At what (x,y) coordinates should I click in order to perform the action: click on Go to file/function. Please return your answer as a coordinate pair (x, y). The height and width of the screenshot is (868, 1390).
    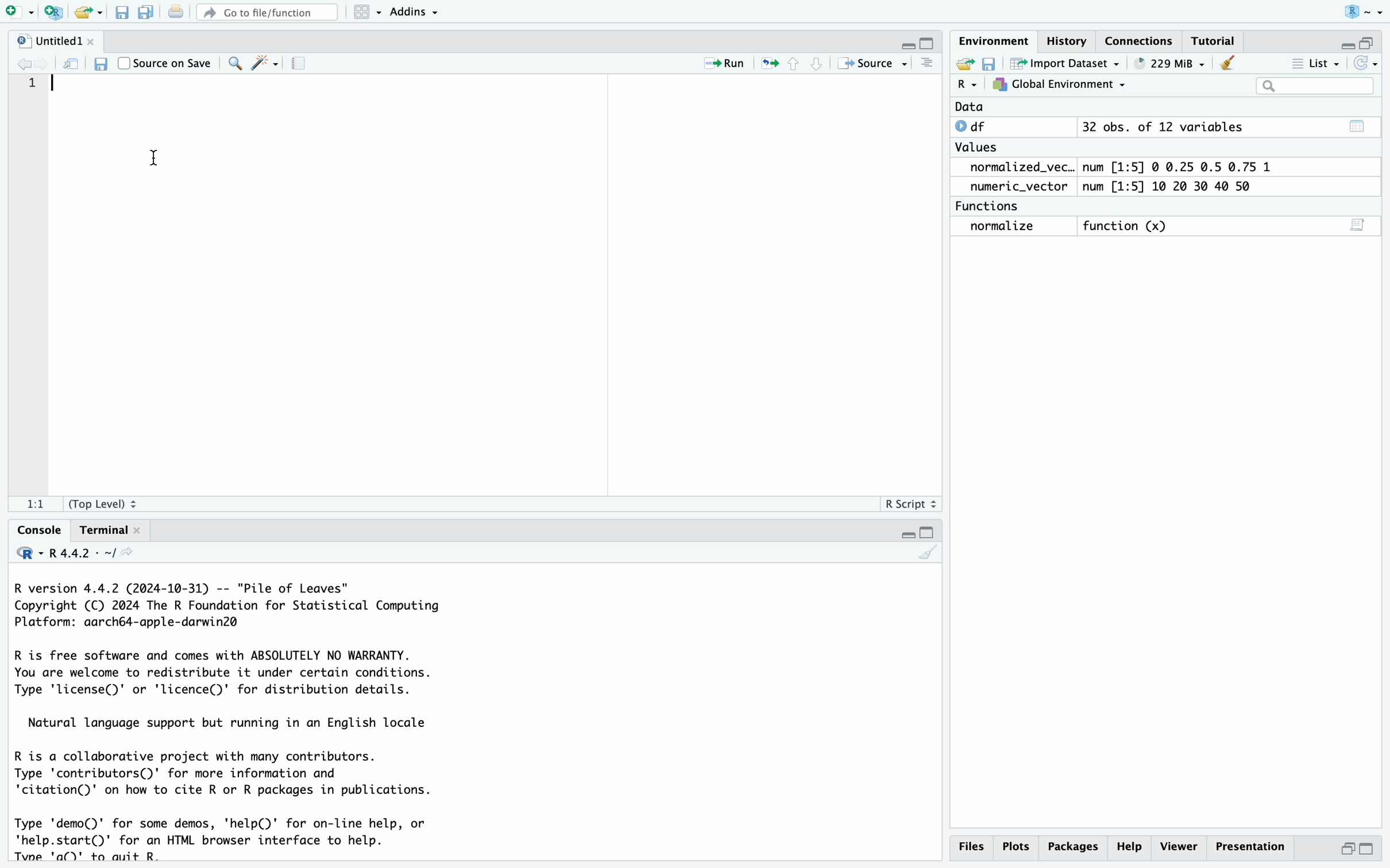
    Looking at the image, I should click on (267, 13).